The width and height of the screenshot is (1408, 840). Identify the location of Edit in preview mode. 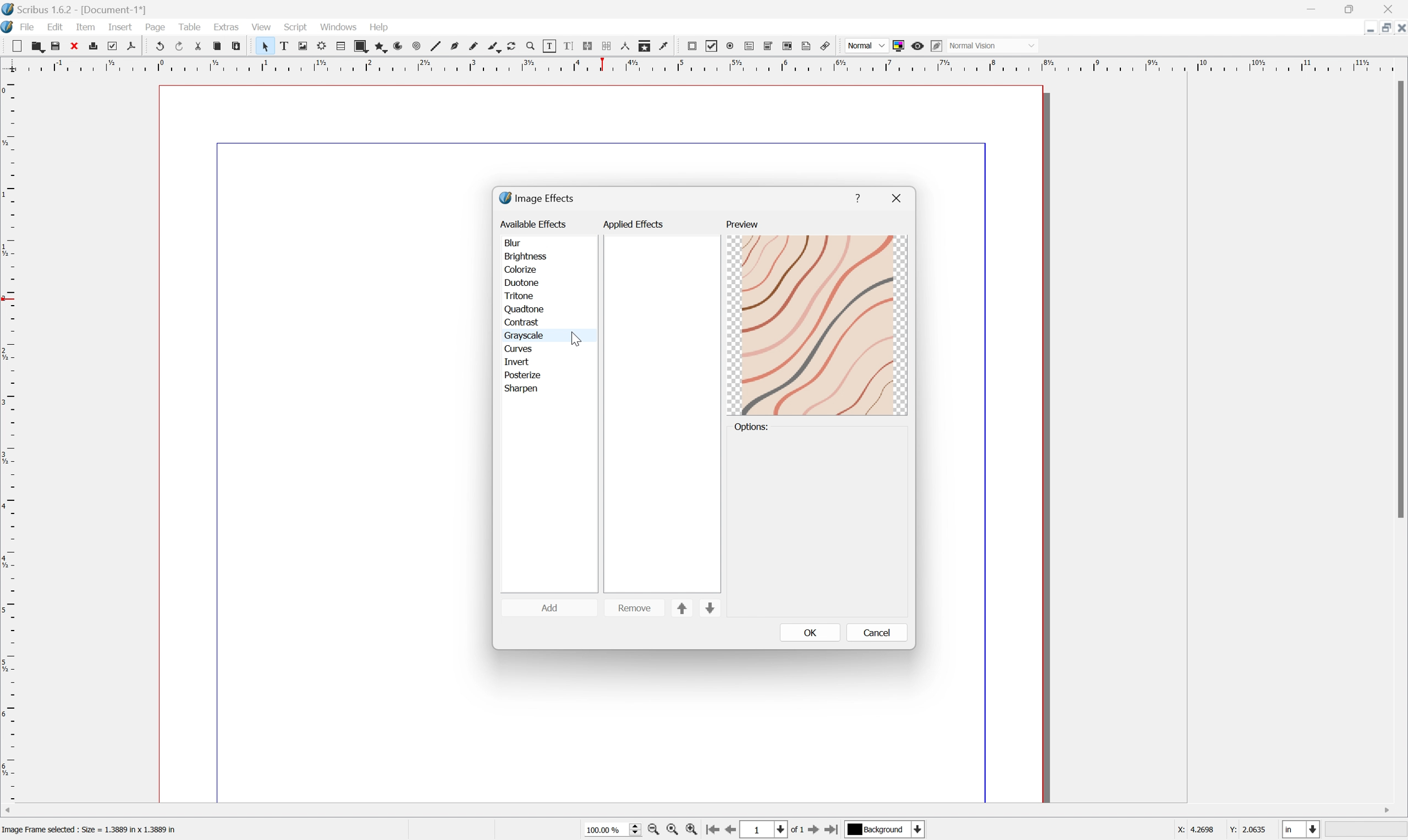
(939, 45).